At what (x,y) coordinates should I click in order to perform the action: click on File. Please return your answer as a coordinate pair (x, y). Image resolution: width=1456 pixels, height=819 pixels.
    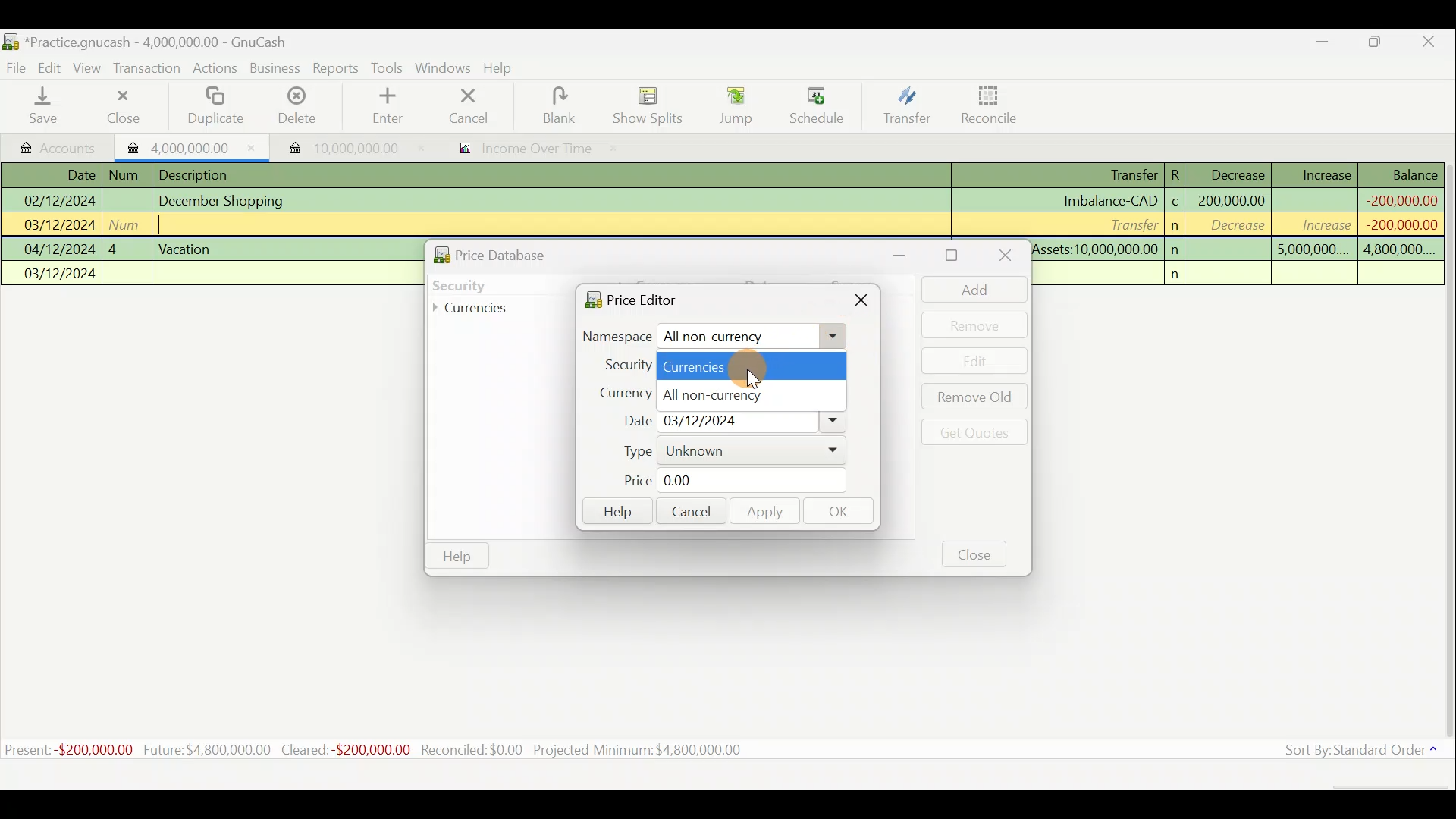
    Looking at the image, I should click on (17, 65).